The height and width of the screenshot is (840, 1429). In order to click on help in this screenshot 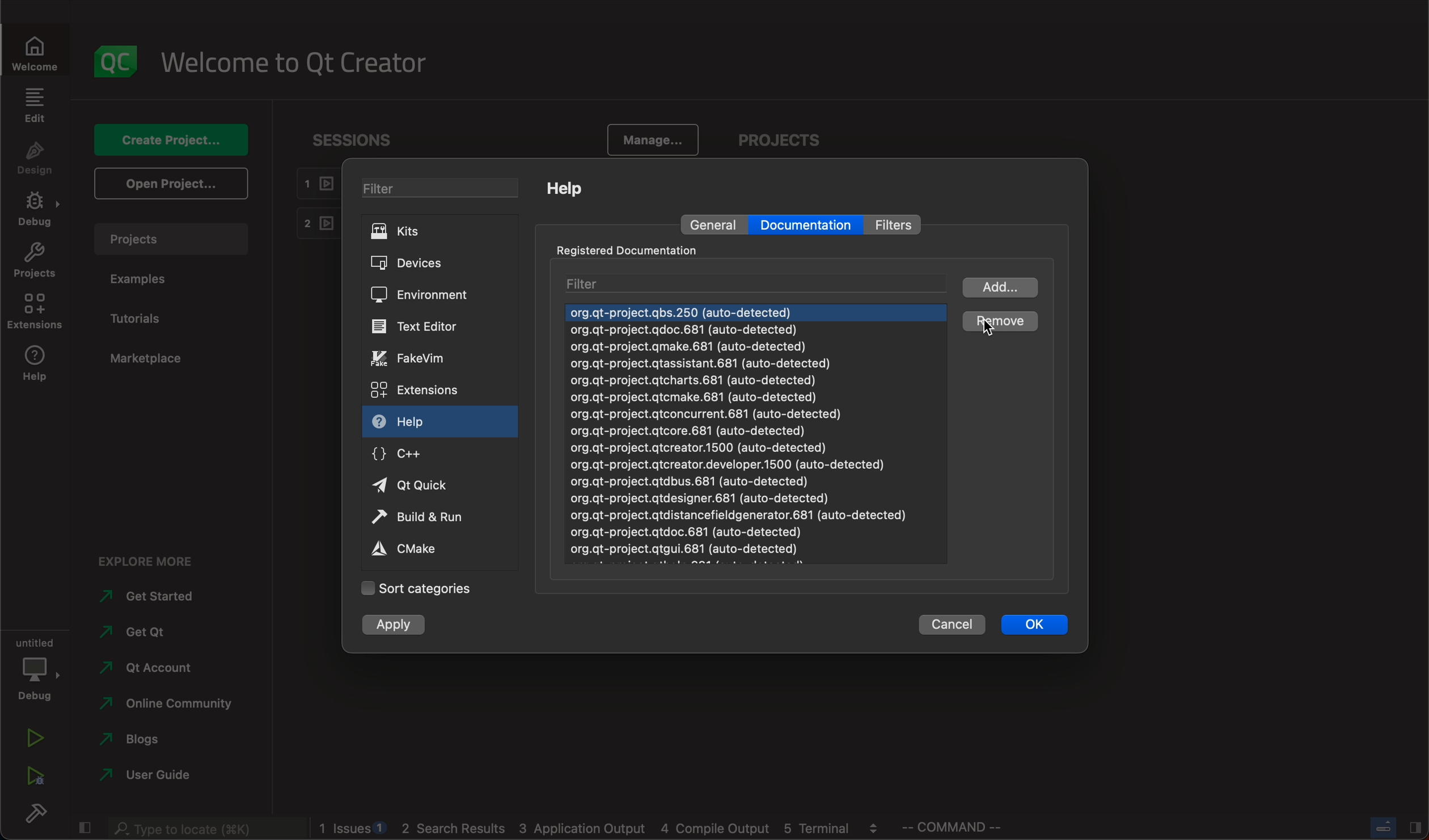, I will do `click(566, 190)`.